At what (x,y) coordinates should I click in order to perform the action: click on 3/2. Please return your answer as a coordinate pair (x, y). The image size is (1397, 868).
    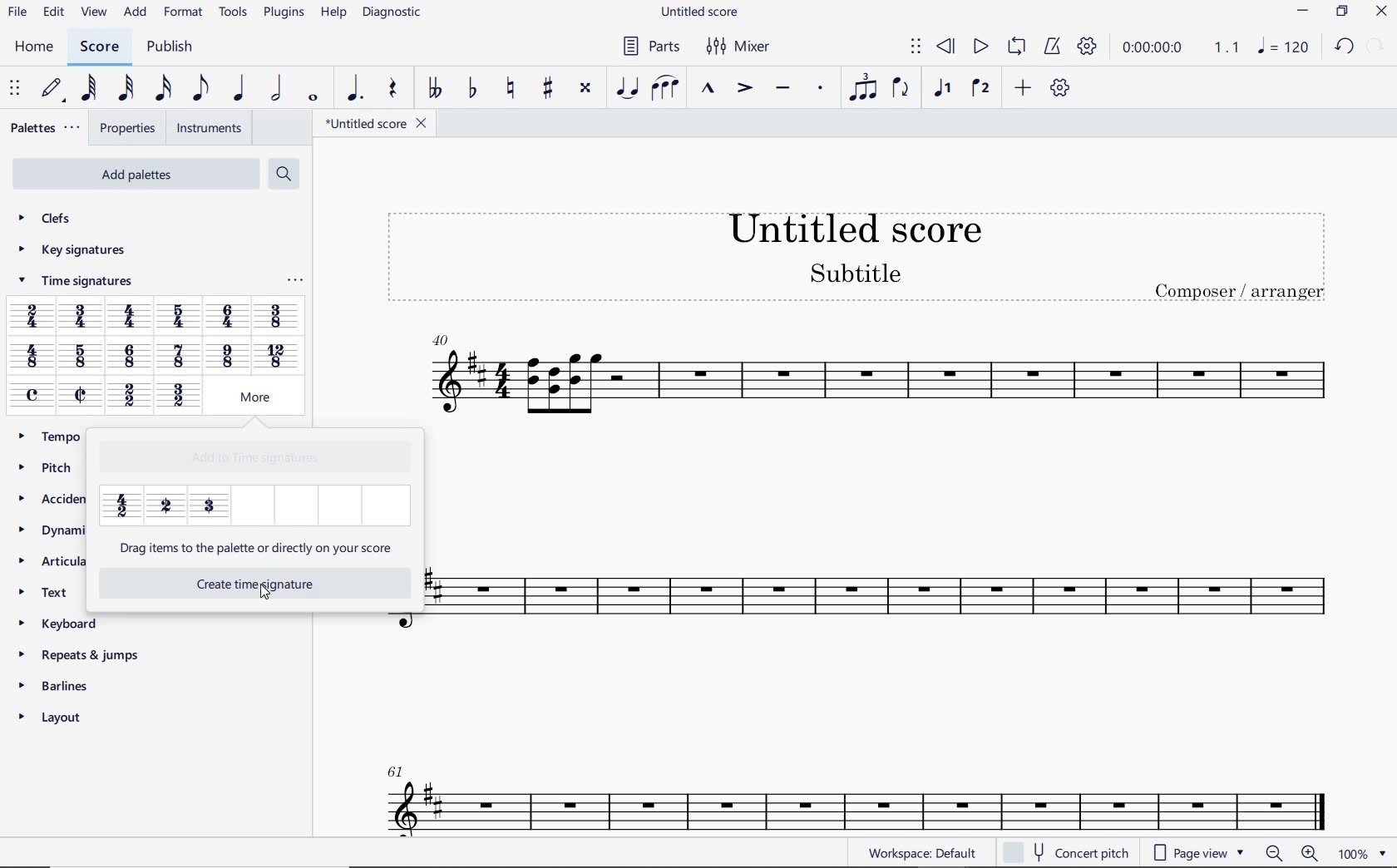
    Looking at the image, I should click on (177, 397).